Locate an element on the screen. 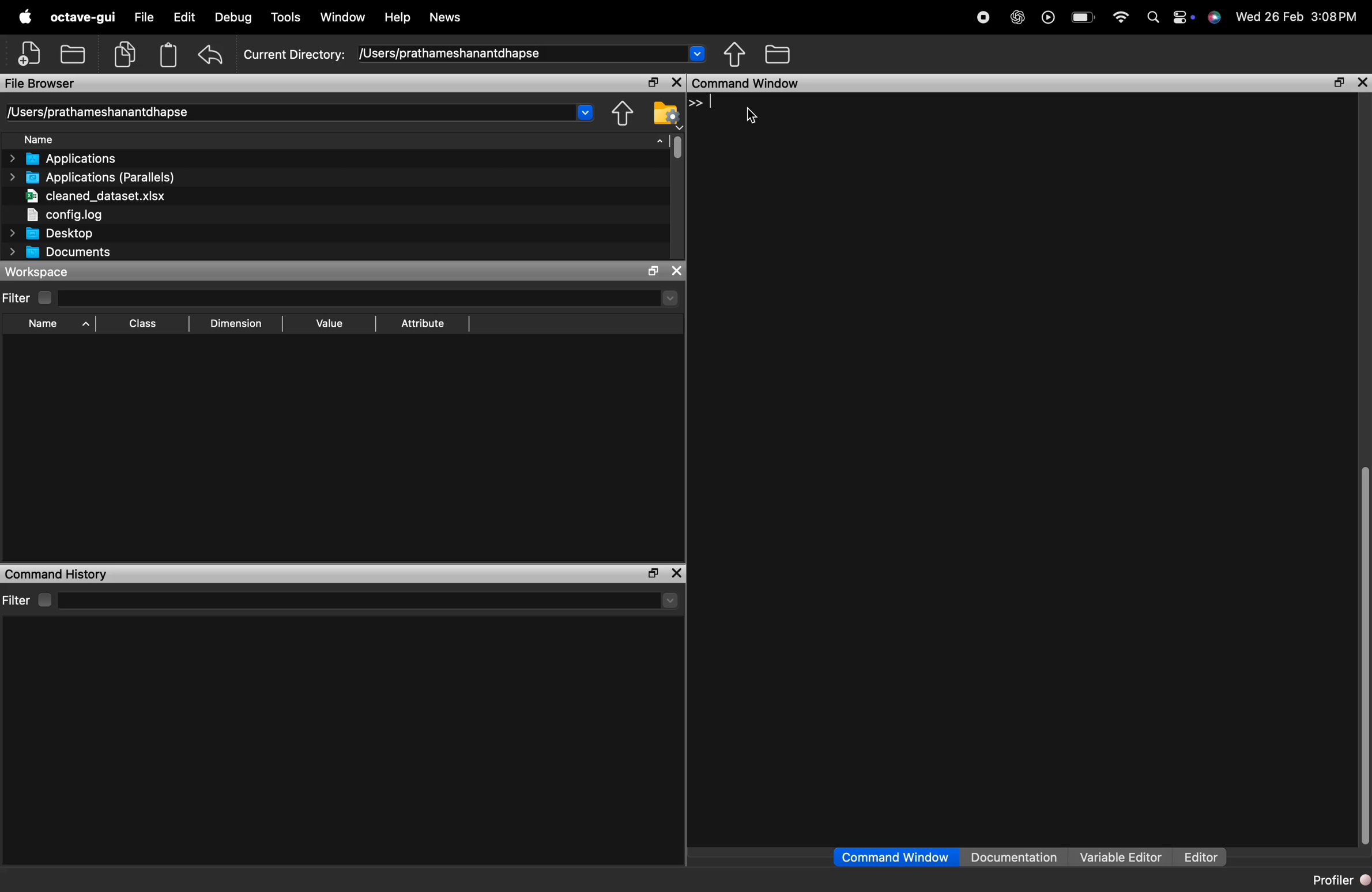 Image resolution: width=1372 pixels, height=892 pixels. search is located at coordinates (1152, 17).